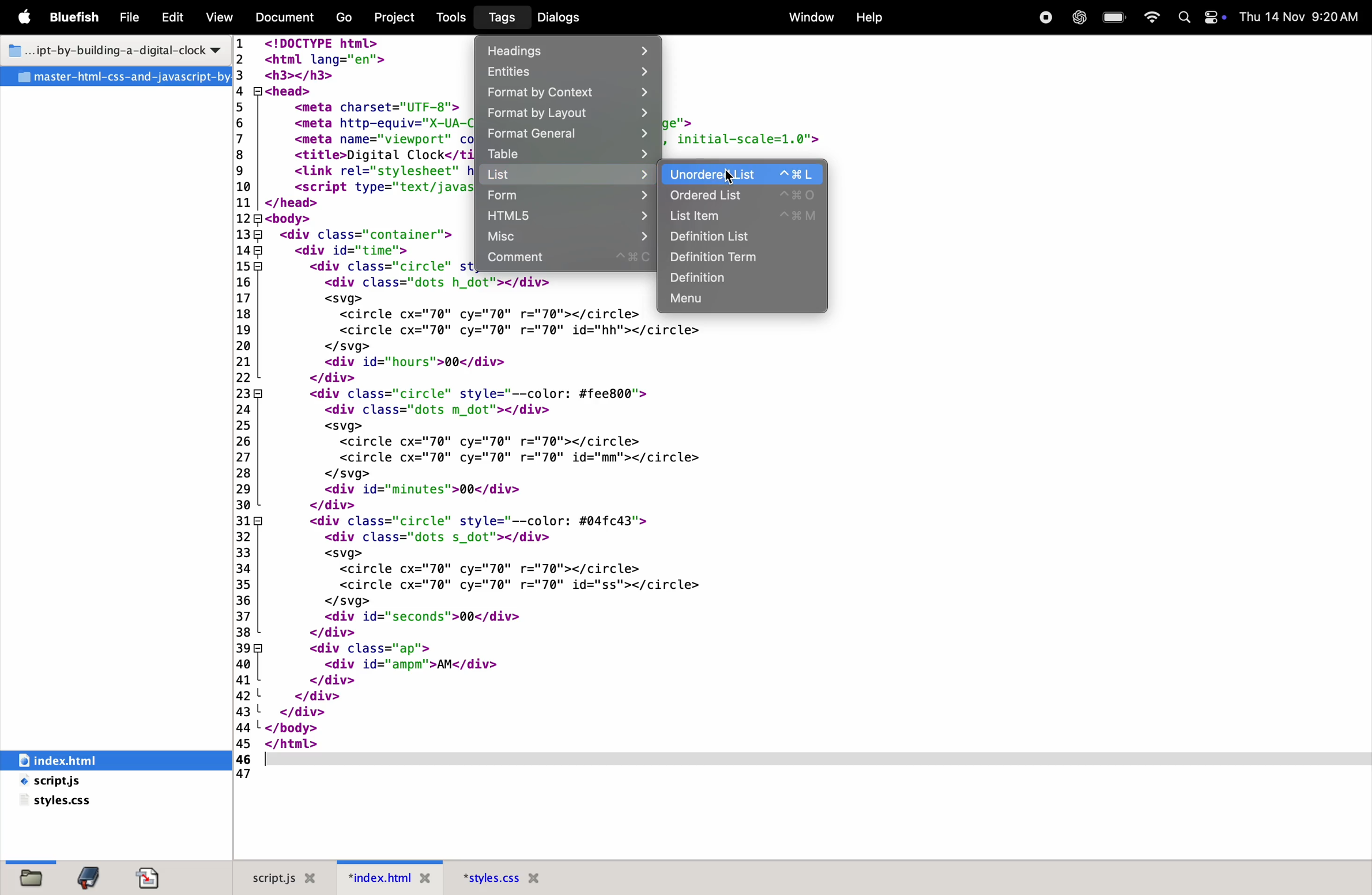 This screenshot has width=1372, height=895. What do you see at coordinates (566, 94) in the screenshot?
I see `format by context` at bounding box center [566, 94].